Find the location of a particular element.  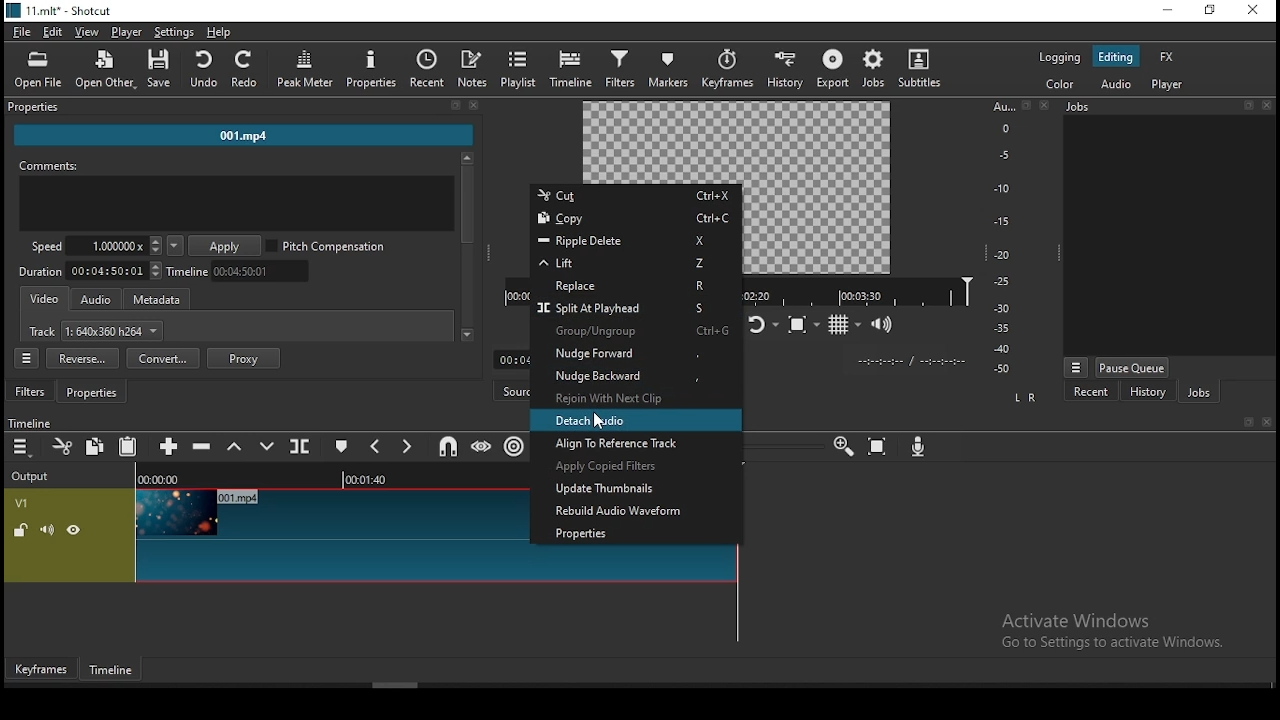

copy is located at coordinates (630, 219).